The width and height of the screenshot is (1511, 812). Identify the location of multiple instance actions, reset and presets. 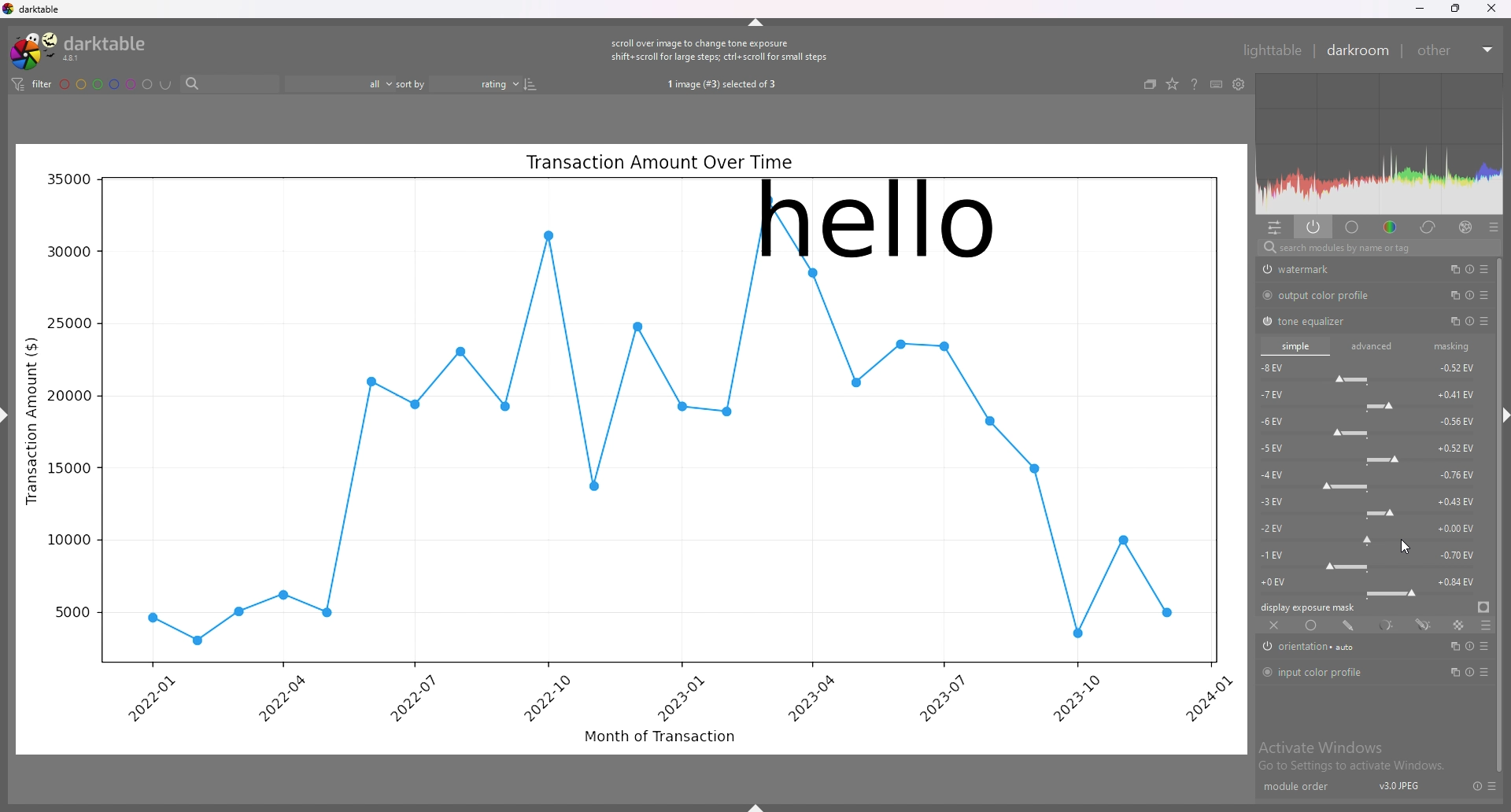
(1470, 297).